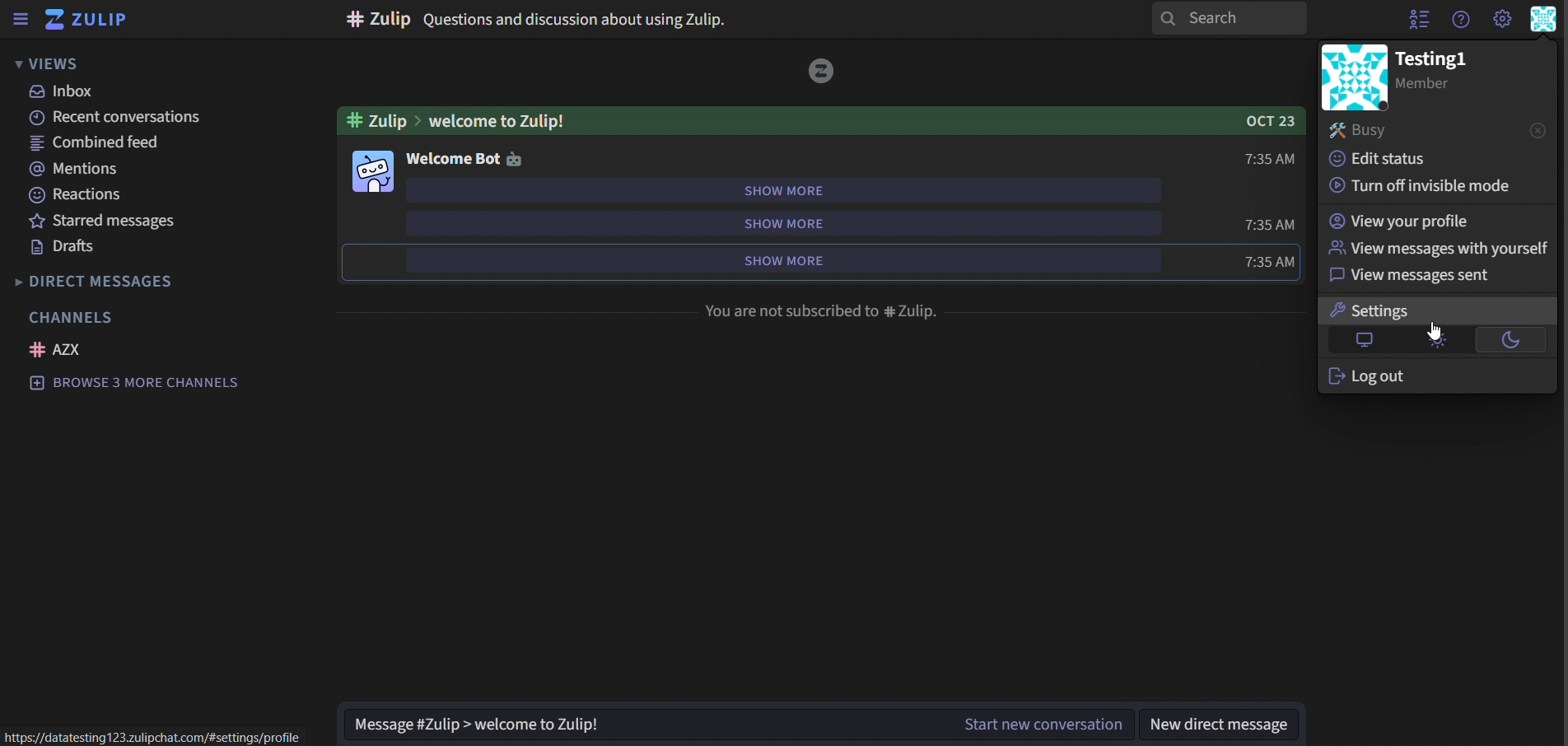  I want to click on Cursor, so click(1434, 331).